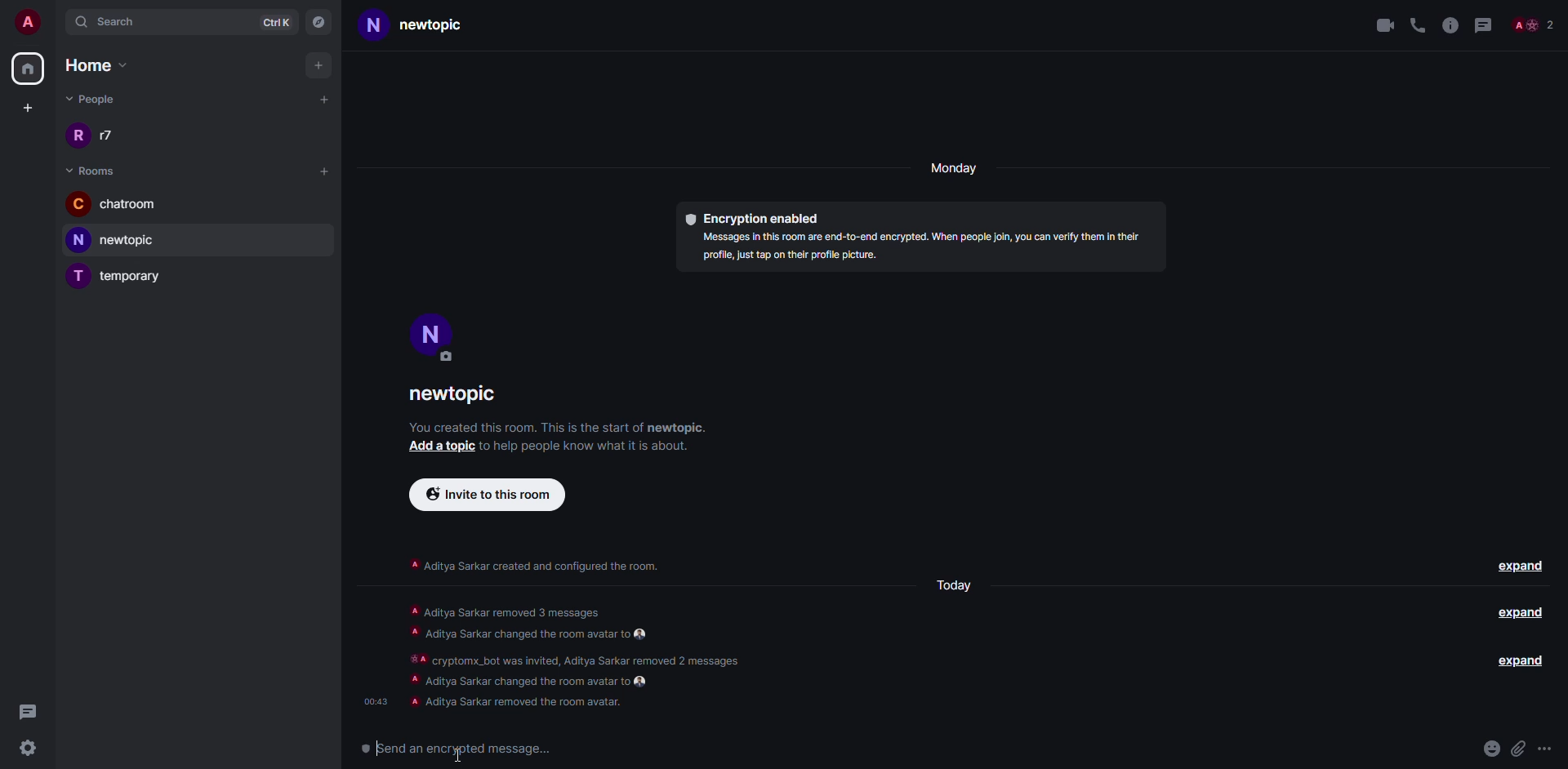  I want to click on ctrlK, so click(276, 20).